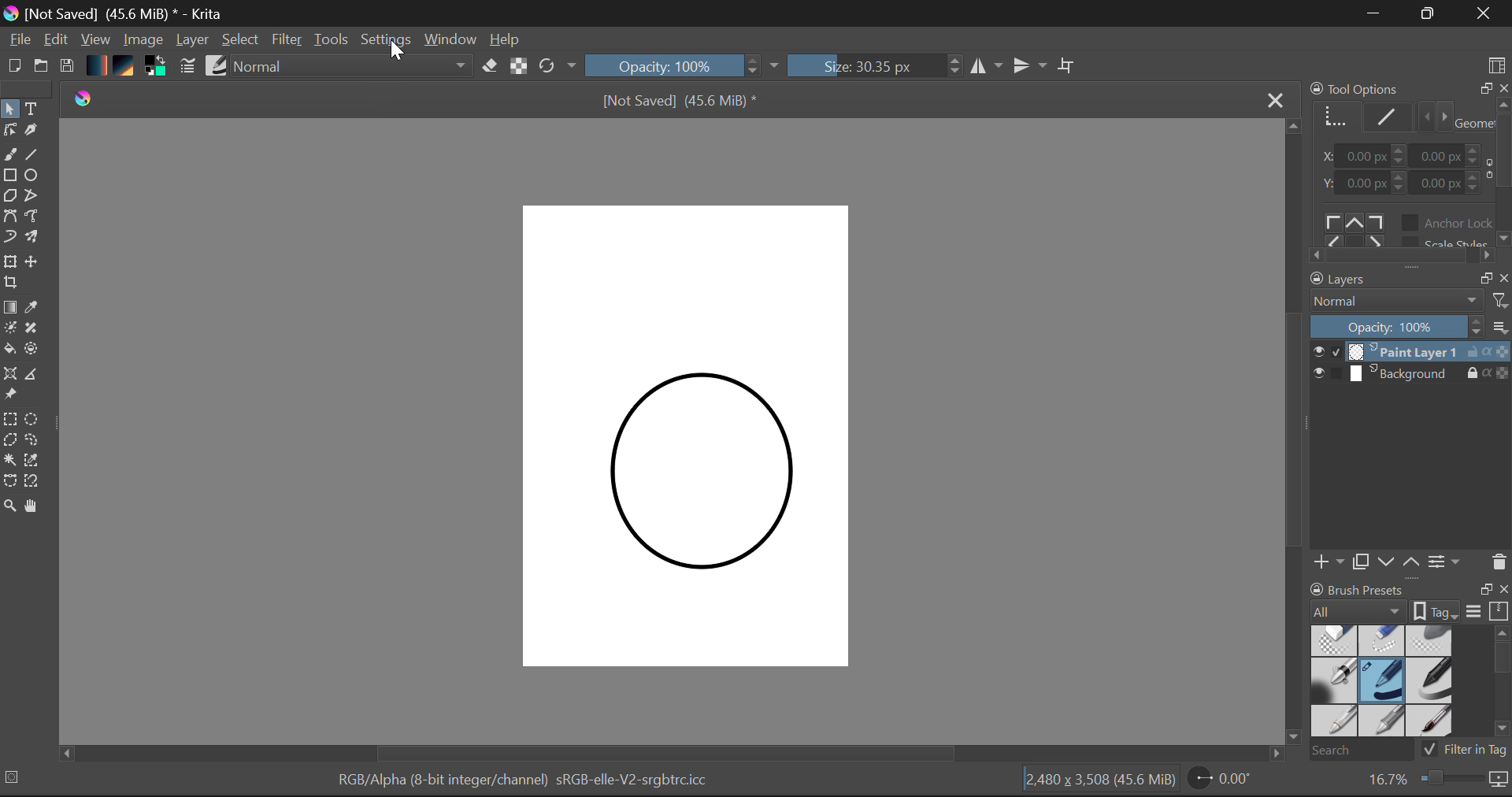 The width and height of the screenshot is (1512, 797). What do you see at coordinates (9, 350) in the screenshot?
I see `Fill` at bounding box center [9, 350].